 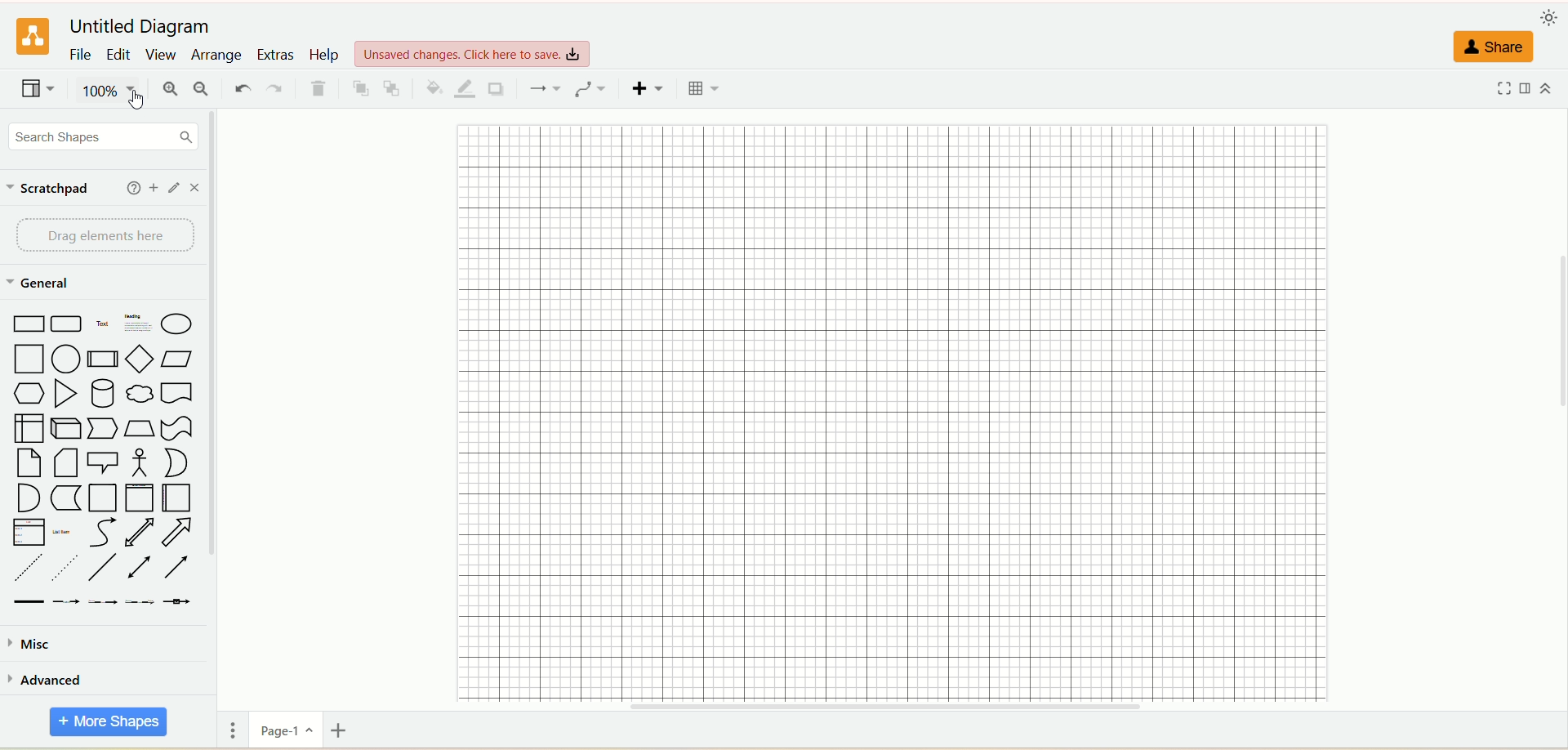 What do you see at coordinates (25, 567) in the screenshot?
I see `dashed line` at bounding box center [25, 567].